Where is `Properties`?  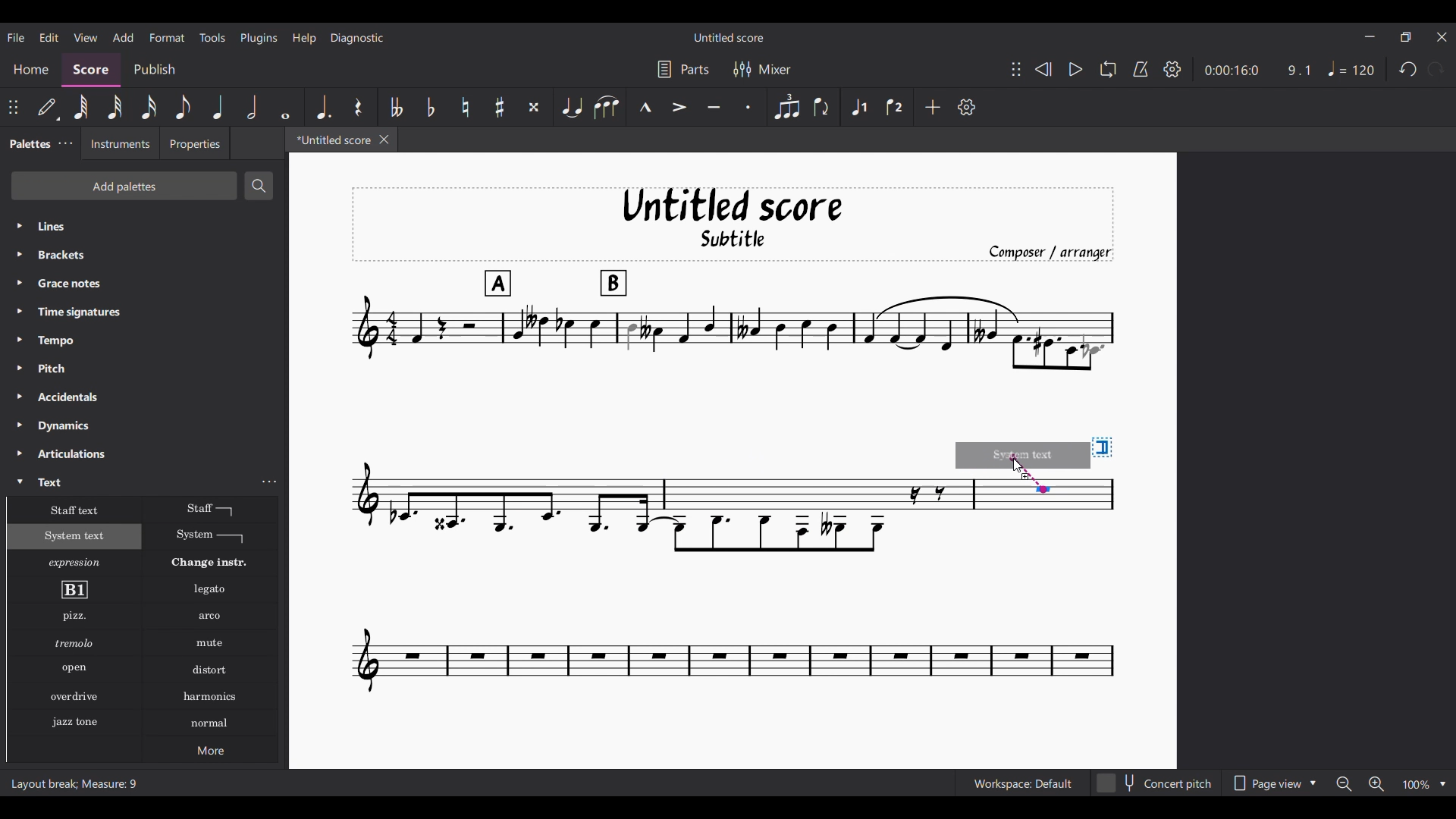
Properties is located at coordinates (195, 143).